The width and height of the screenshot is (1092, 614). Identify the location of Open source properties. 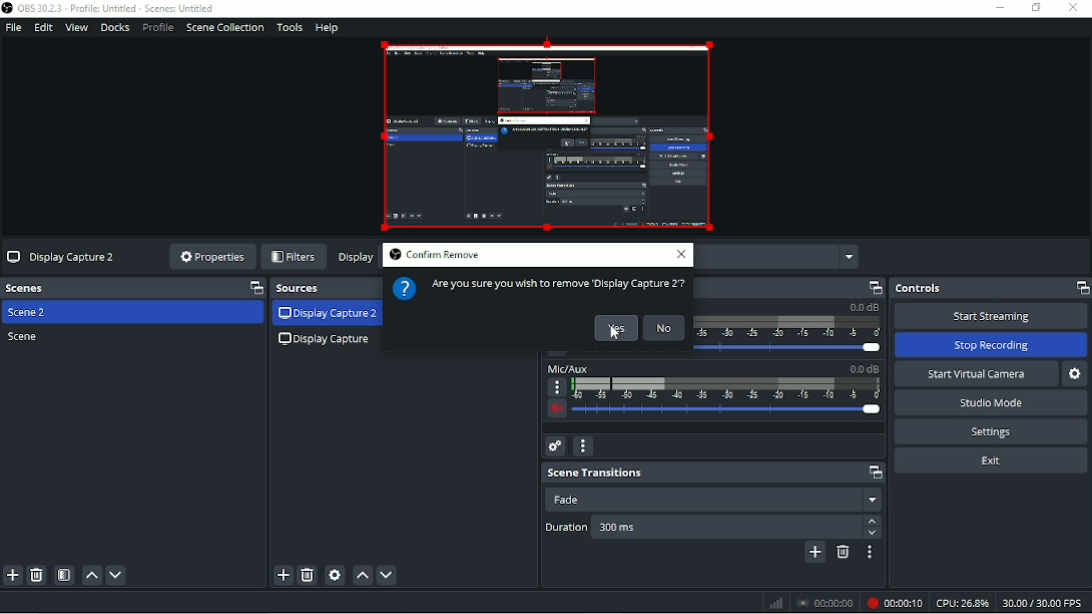
(335, 575).